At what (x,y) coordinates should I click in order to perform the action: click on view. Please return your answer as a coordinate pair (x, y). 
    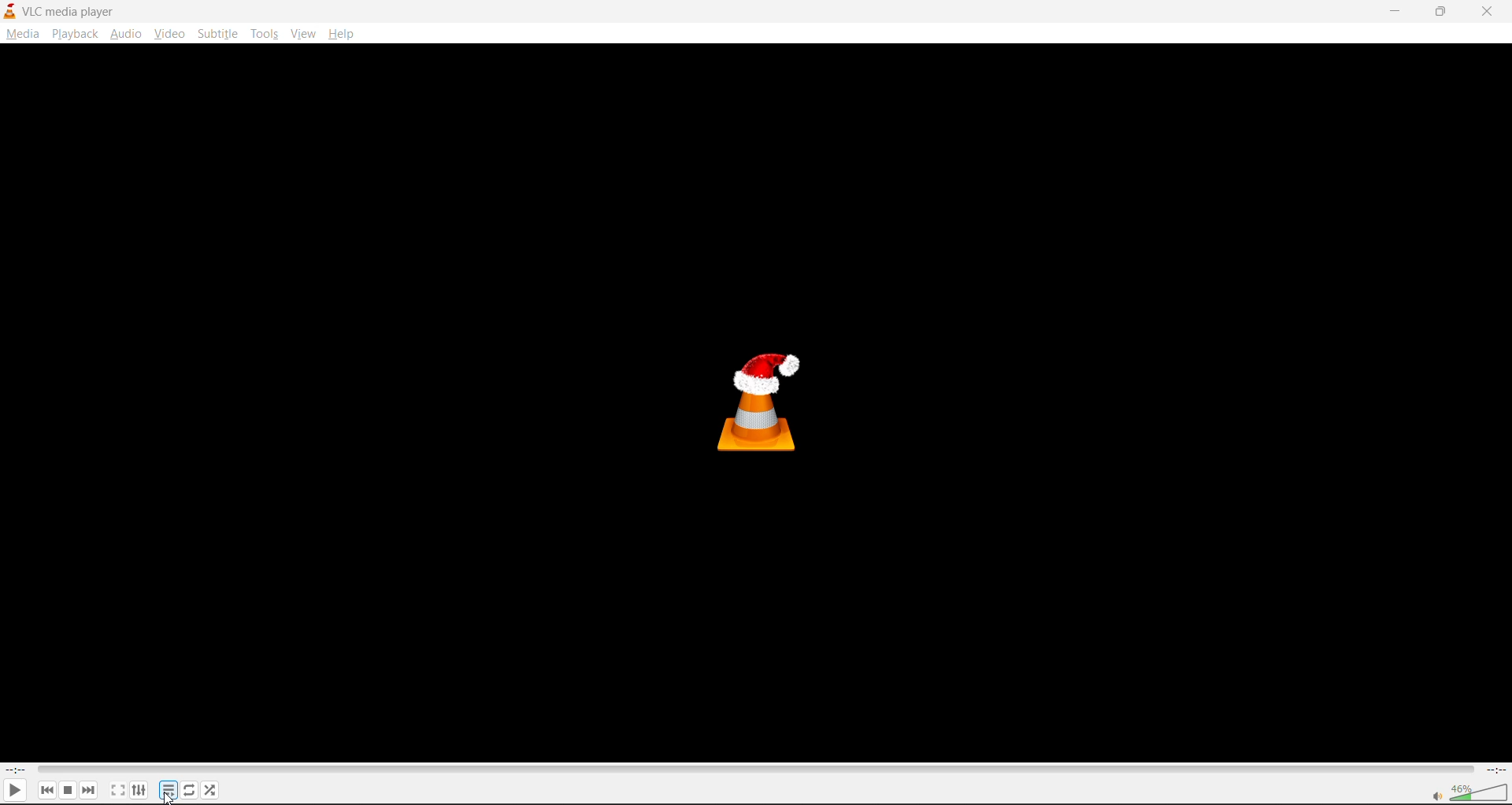
    Looking at the image, I should click on (306, 32).